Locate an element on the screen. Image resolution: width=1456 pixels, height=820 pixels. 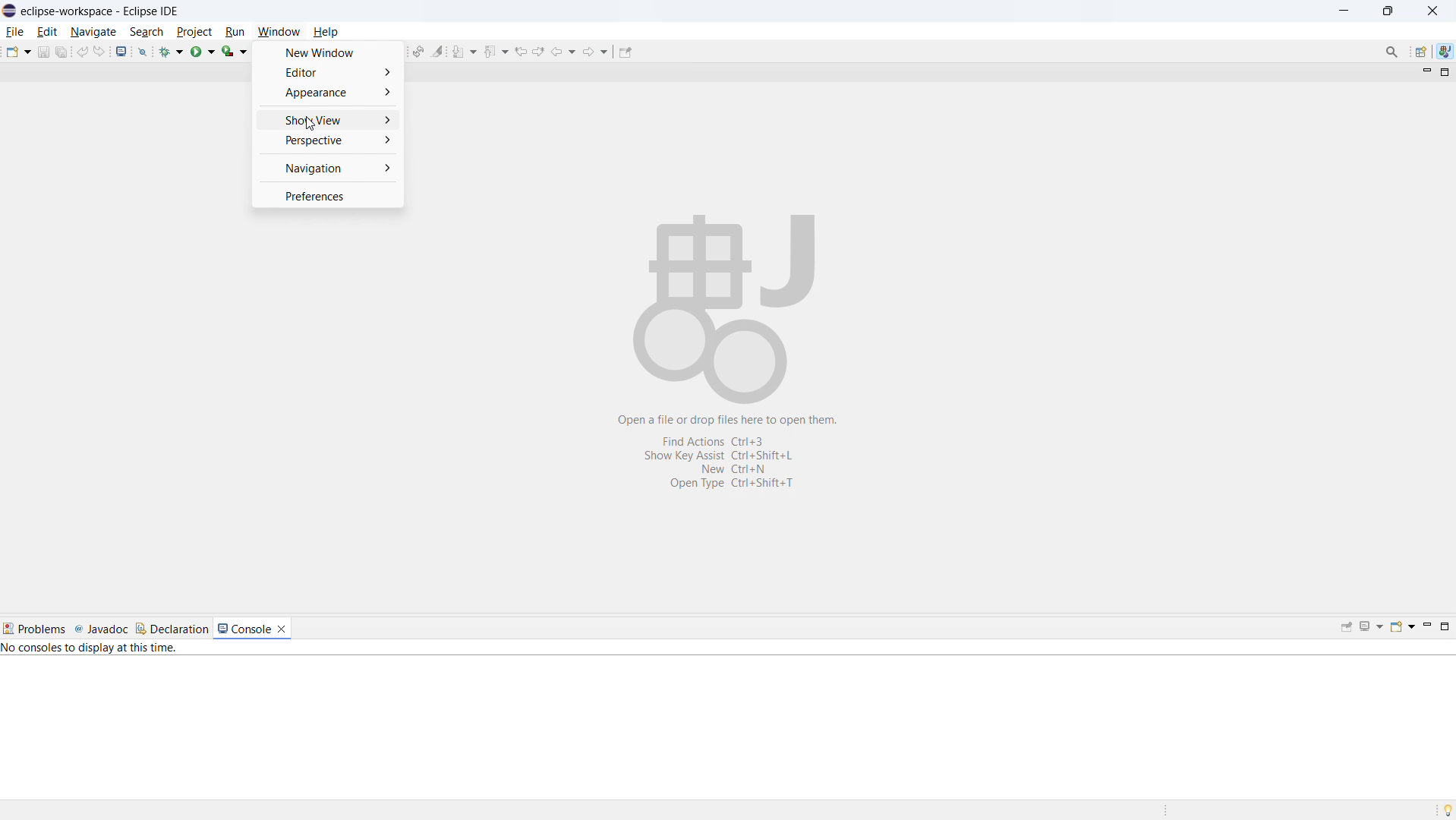
previous edit location is located at coordinates (519, 52).